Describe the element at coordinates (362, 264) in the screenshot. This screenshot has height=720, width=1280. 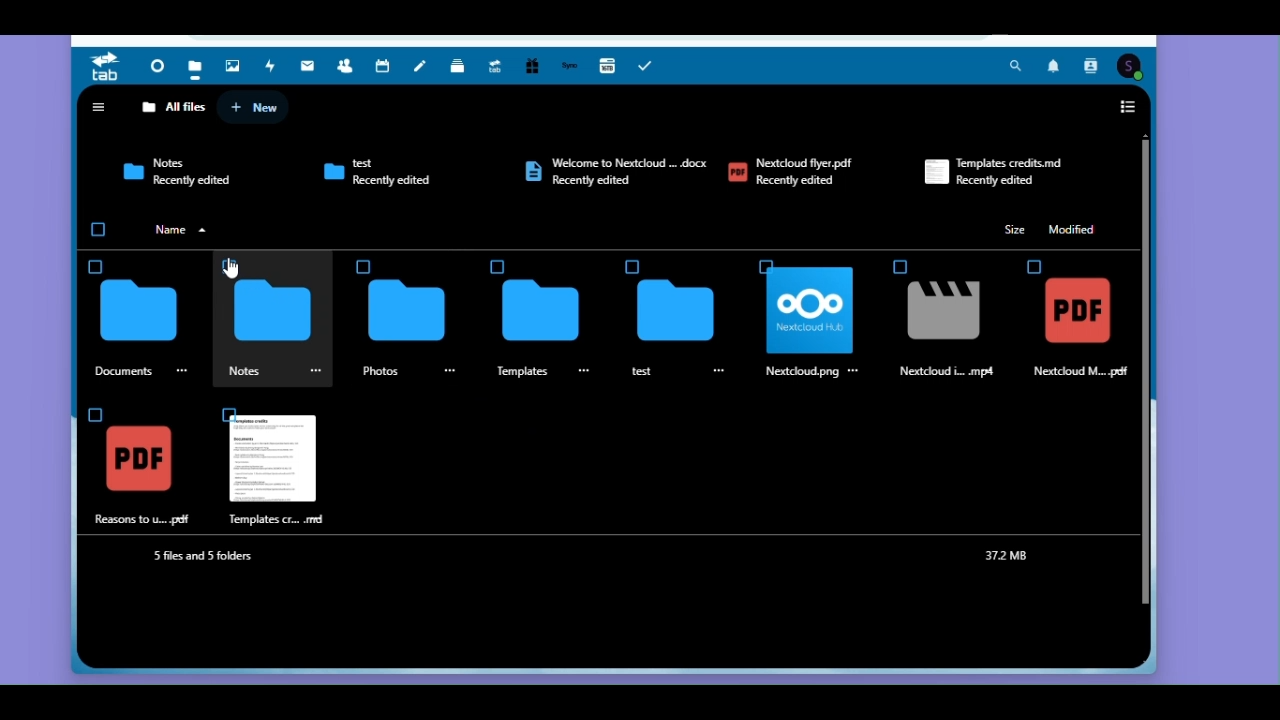
I see `Check Box` at that location.